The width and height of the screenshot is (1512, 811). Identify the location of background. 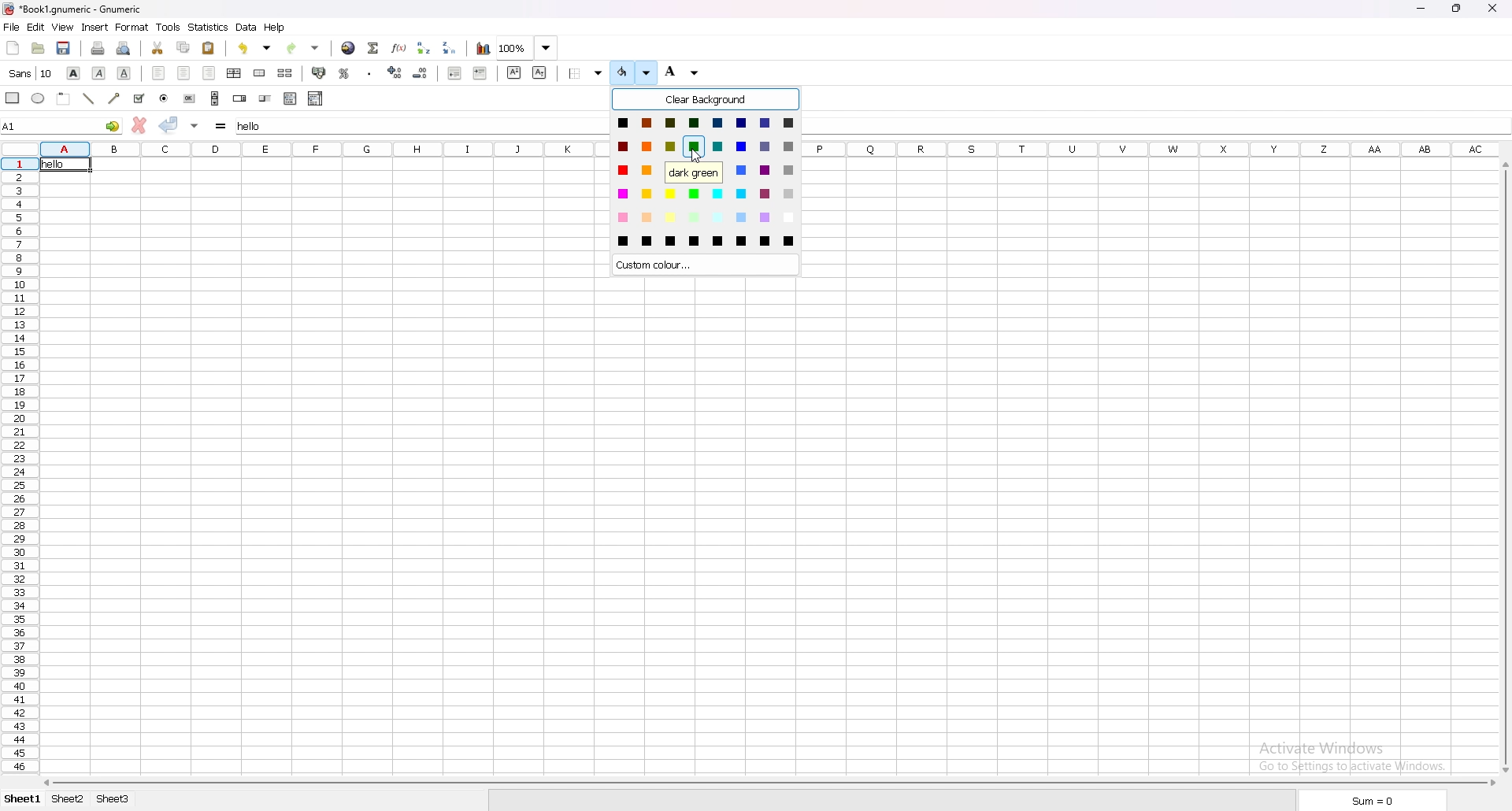
(685, 73).